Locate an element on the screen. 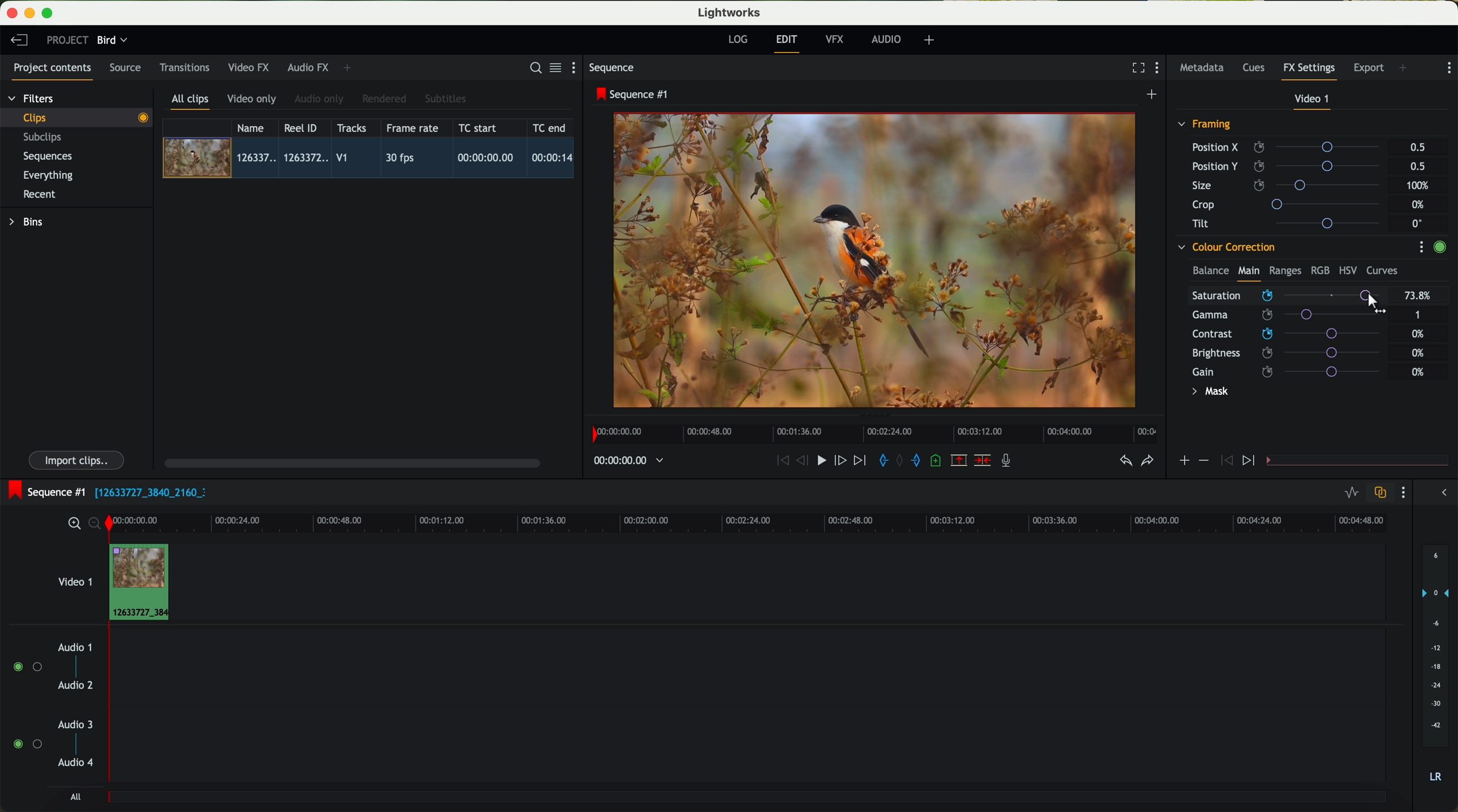 This screenshot has width=1458, height=812. record a voice-over is located at coordinates (1010, 462).